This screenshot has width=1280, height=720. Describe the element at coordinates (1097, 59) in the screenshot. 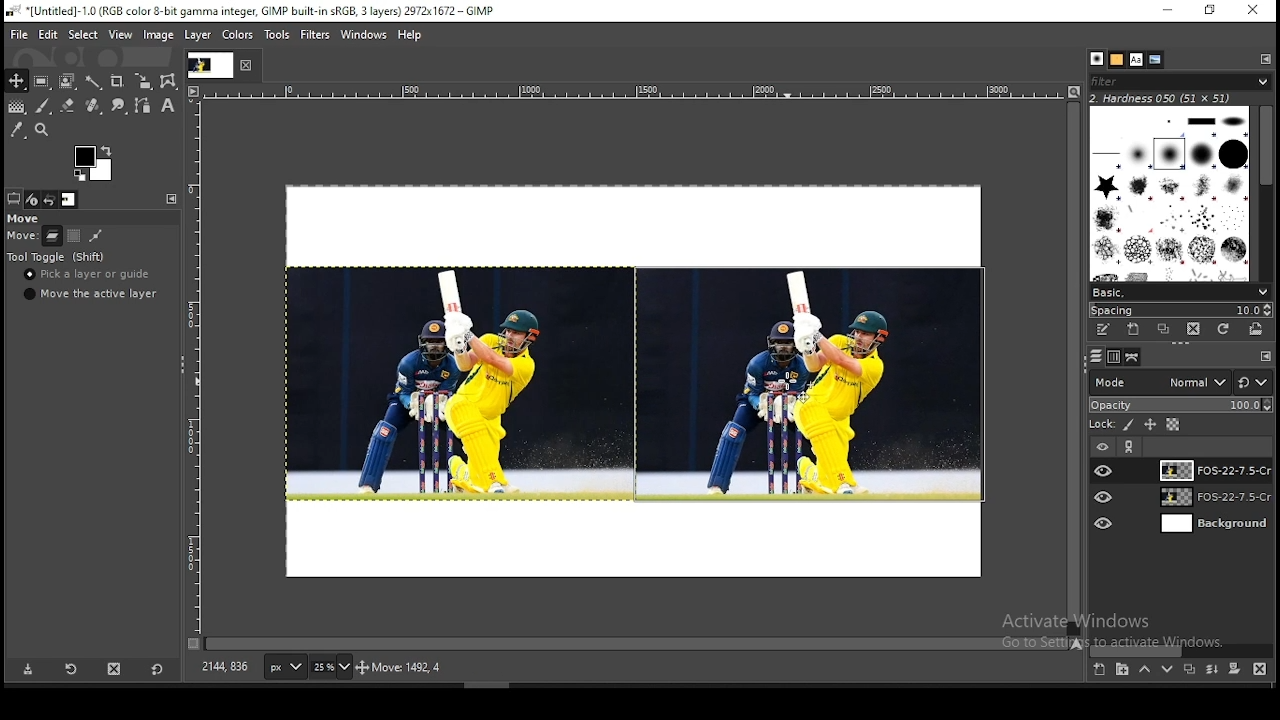

I see `brushes` at that location.